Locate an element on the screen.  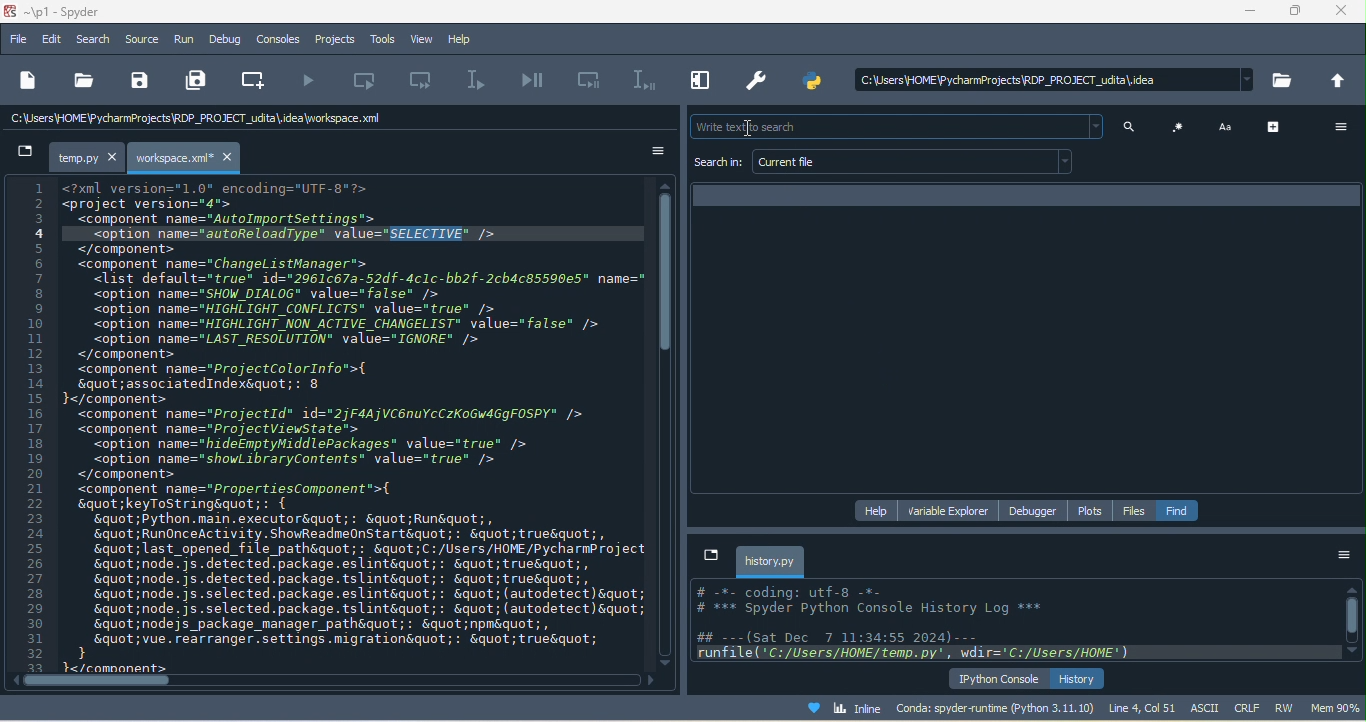
search in: is located at coordinates (718, 163).